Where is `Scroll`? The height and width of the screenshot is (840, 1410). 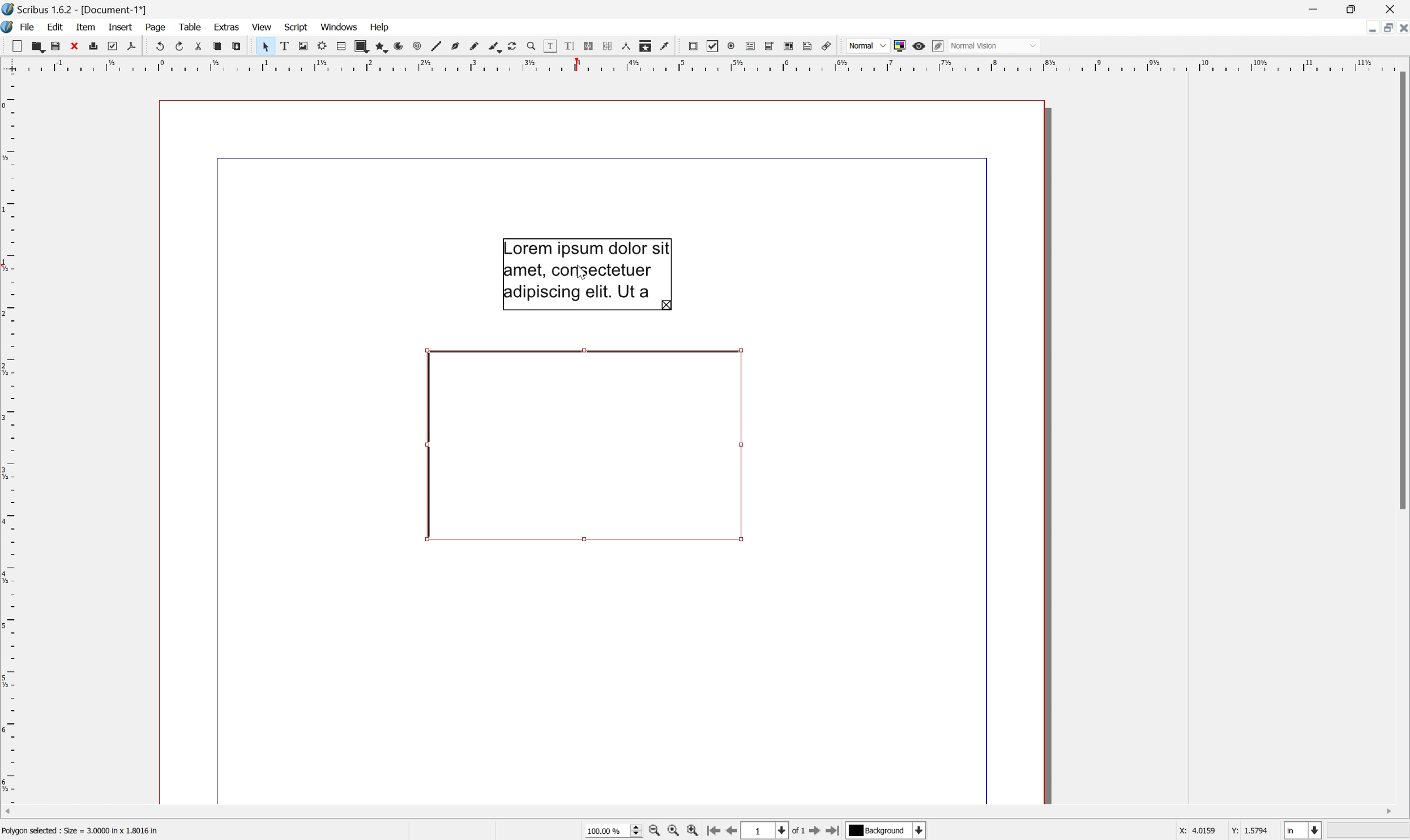
Scroll is located at coordinates (700, 813).